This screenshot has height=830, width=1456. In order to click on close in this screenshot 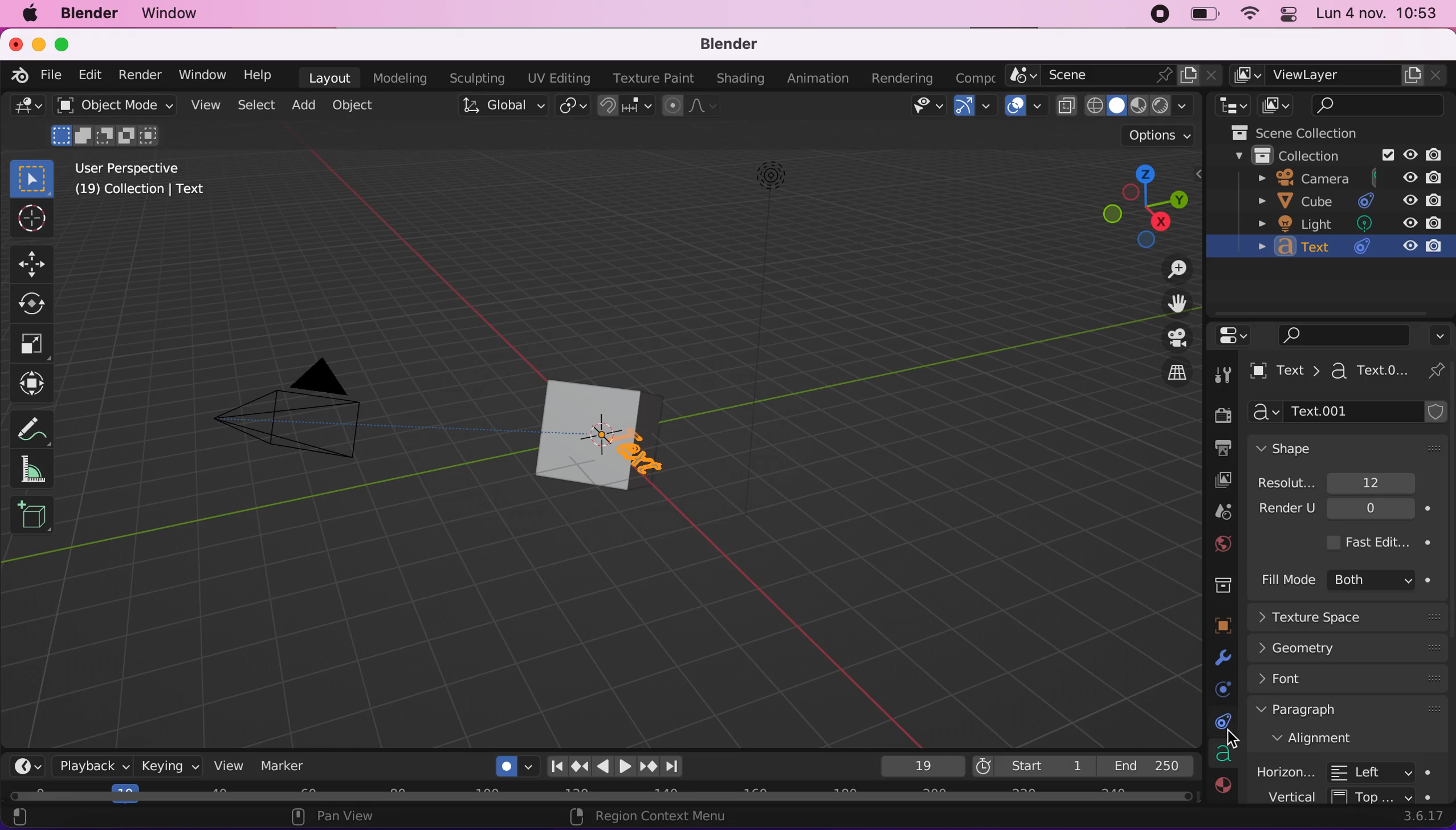, I will do `click(17, 44)`.